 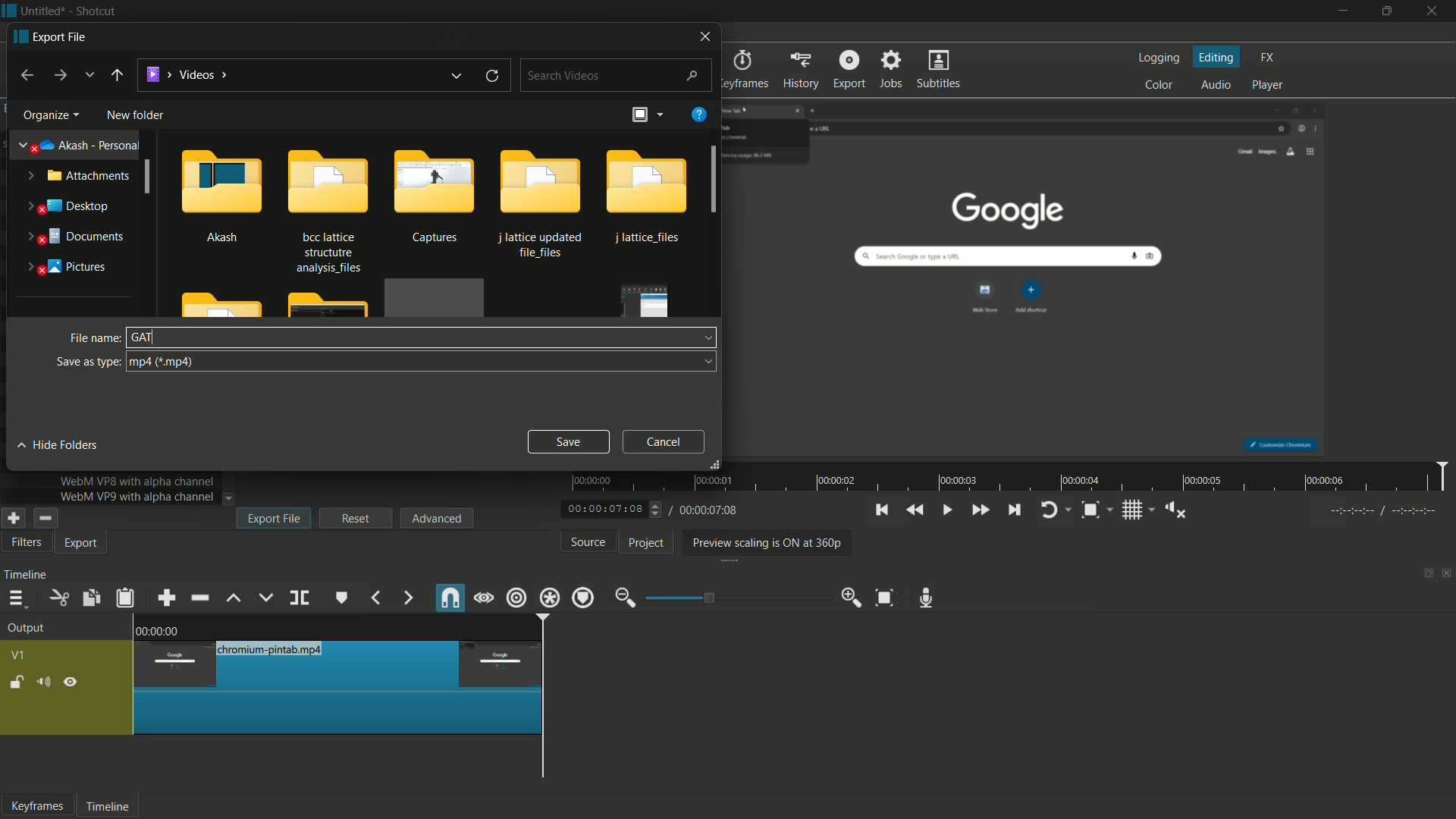 What do you see at coordinates (92, 340) in the screenshot?
I see `file name` at bounding box center [92, 340].